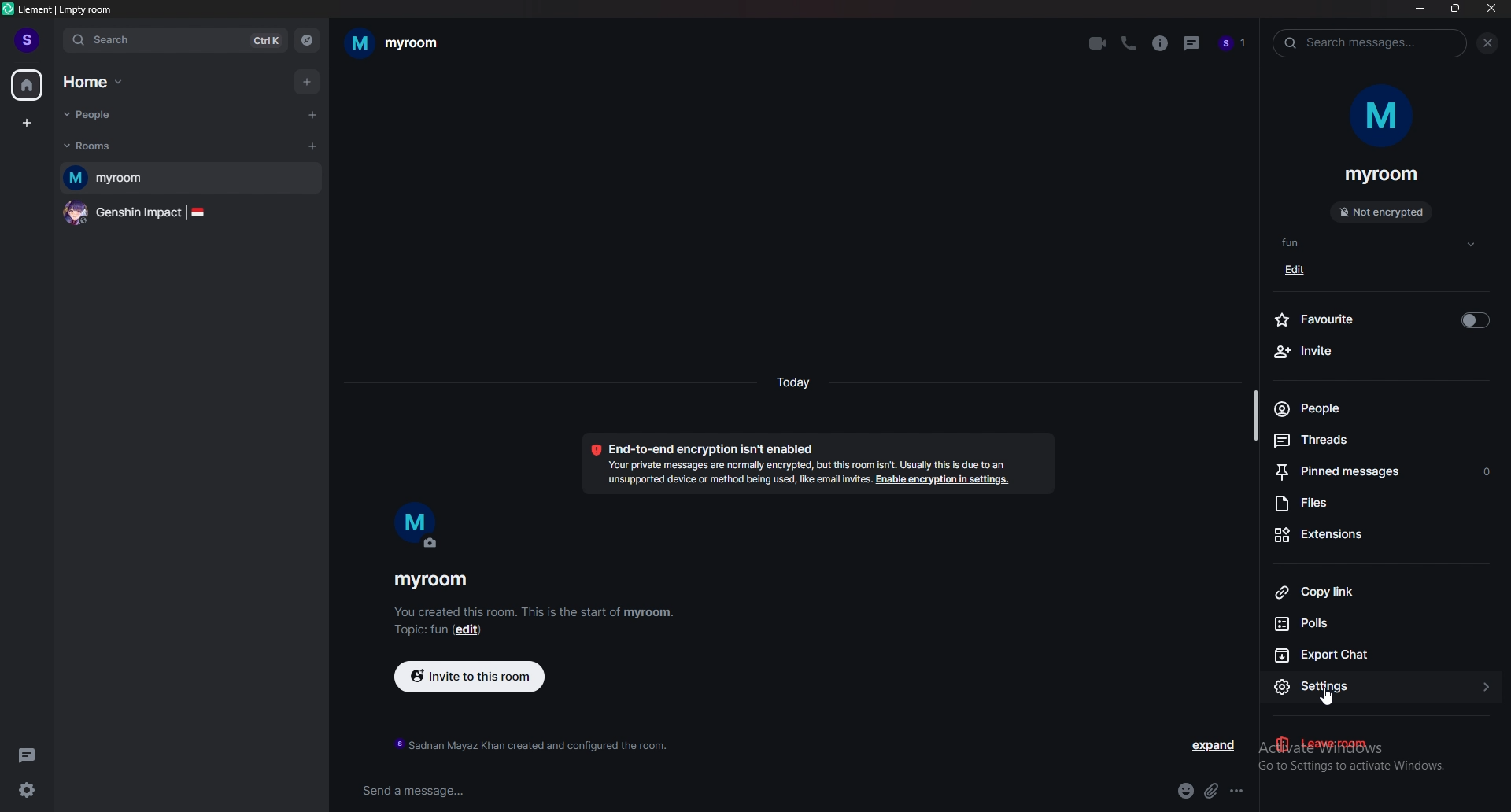 This screenshot has width=1511, height=812. What do you see at coordinates (1299, 269) in the screenshot?
I see `edit` at bounding box center [1299, 269].